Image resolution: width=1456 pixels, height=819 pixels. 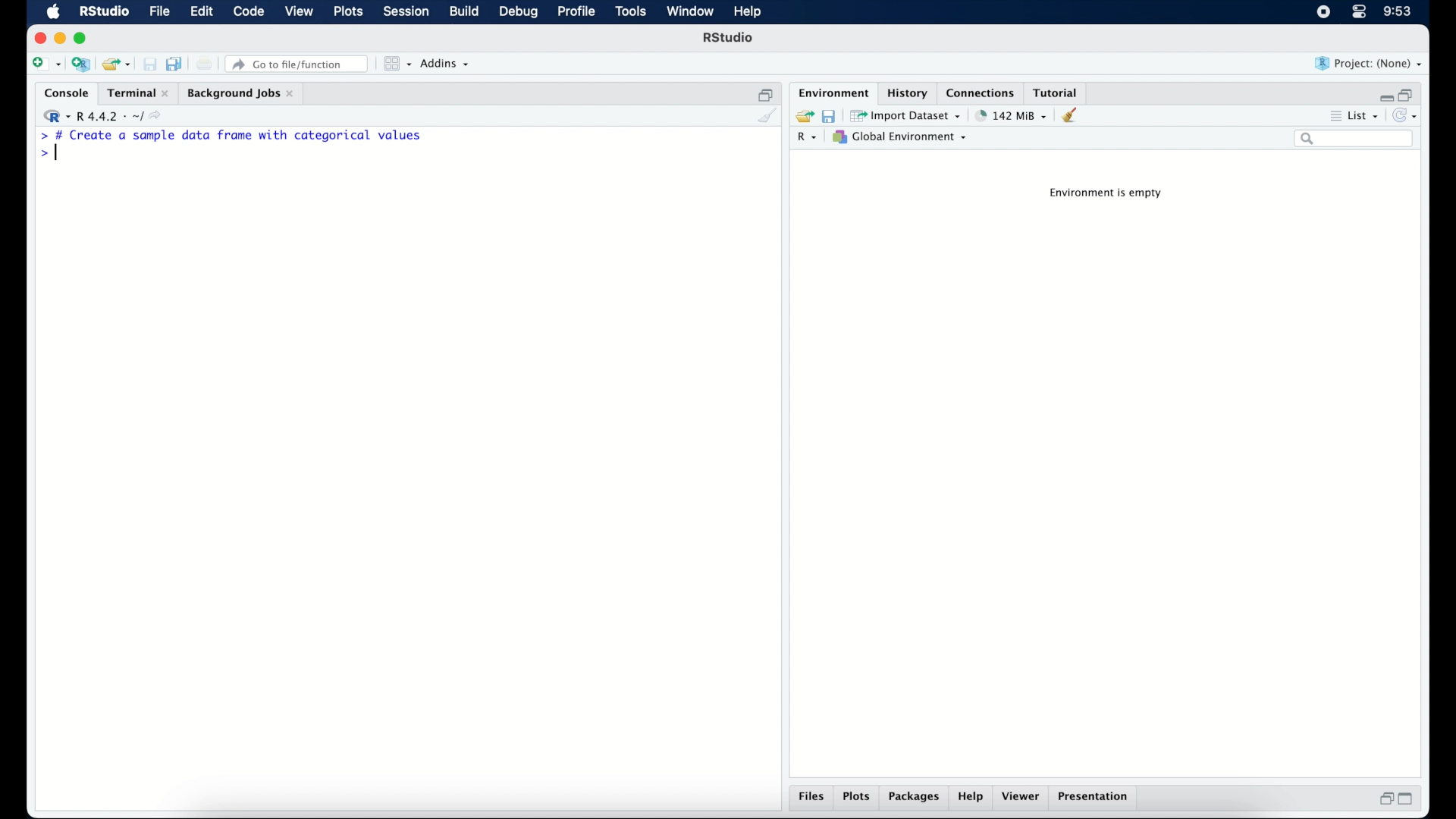 What do you see at coordinates (104, 12) in the screenshot?
I see `R studio` at bounding box center [104, 12].